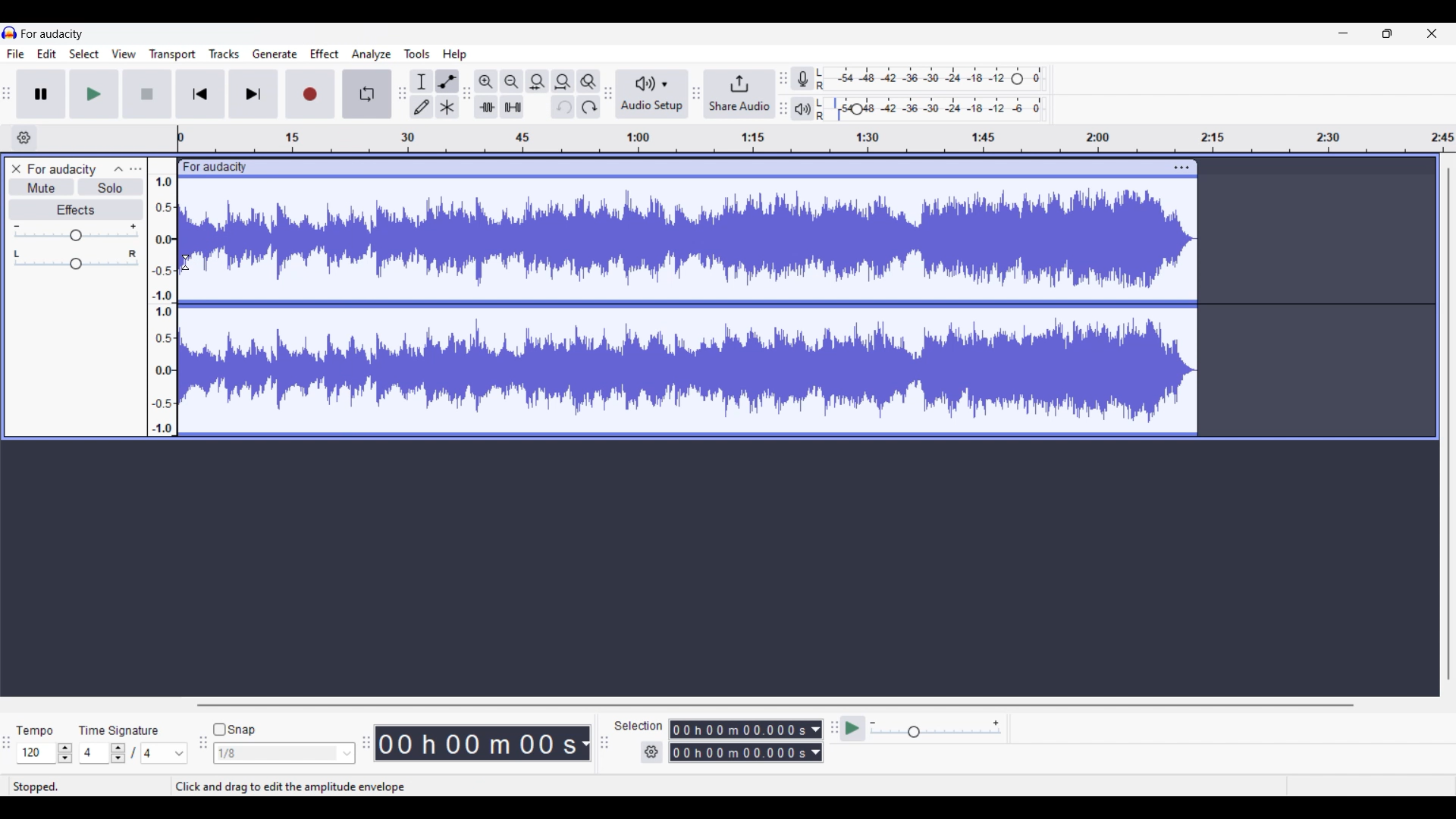  I want to click on Skip/Select to end, so click(254, 94).